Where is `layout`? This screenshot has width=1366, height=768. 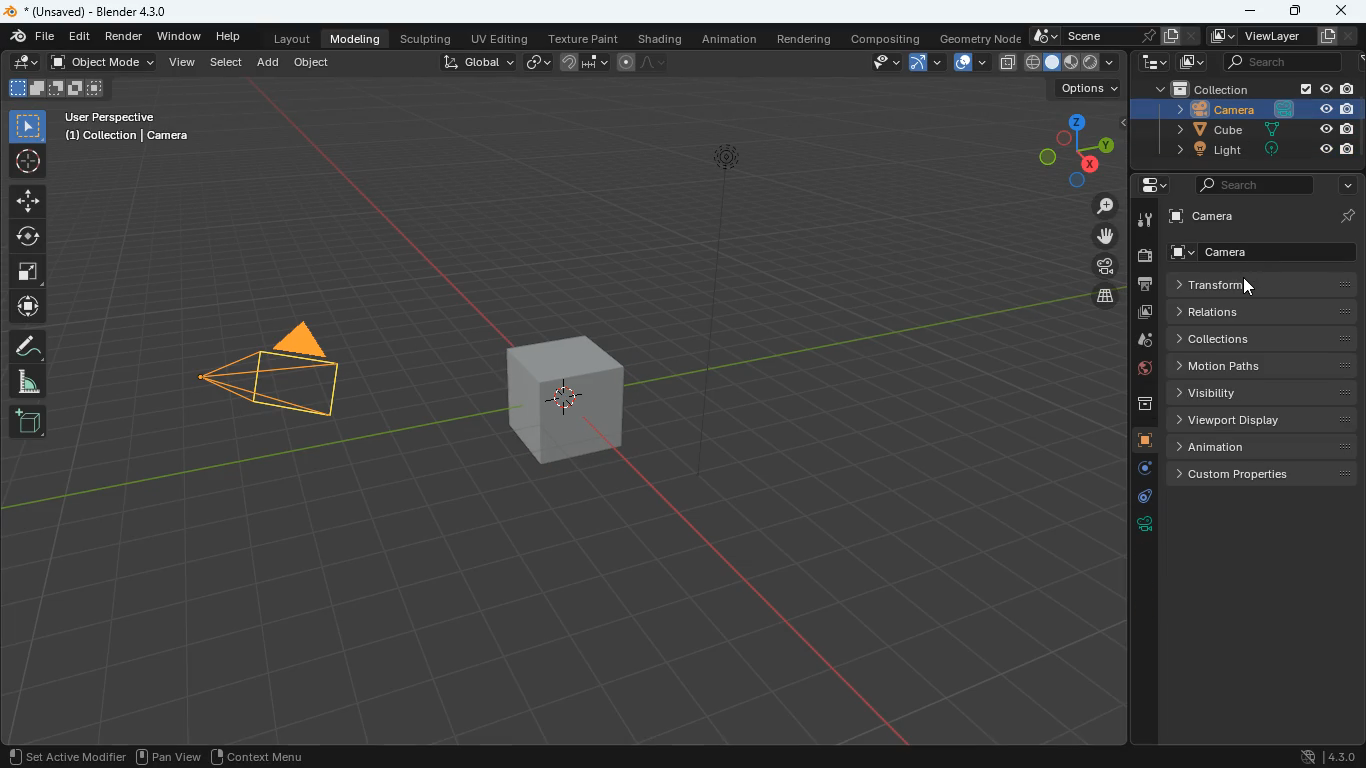
layout is located at coordinates (971, 62).